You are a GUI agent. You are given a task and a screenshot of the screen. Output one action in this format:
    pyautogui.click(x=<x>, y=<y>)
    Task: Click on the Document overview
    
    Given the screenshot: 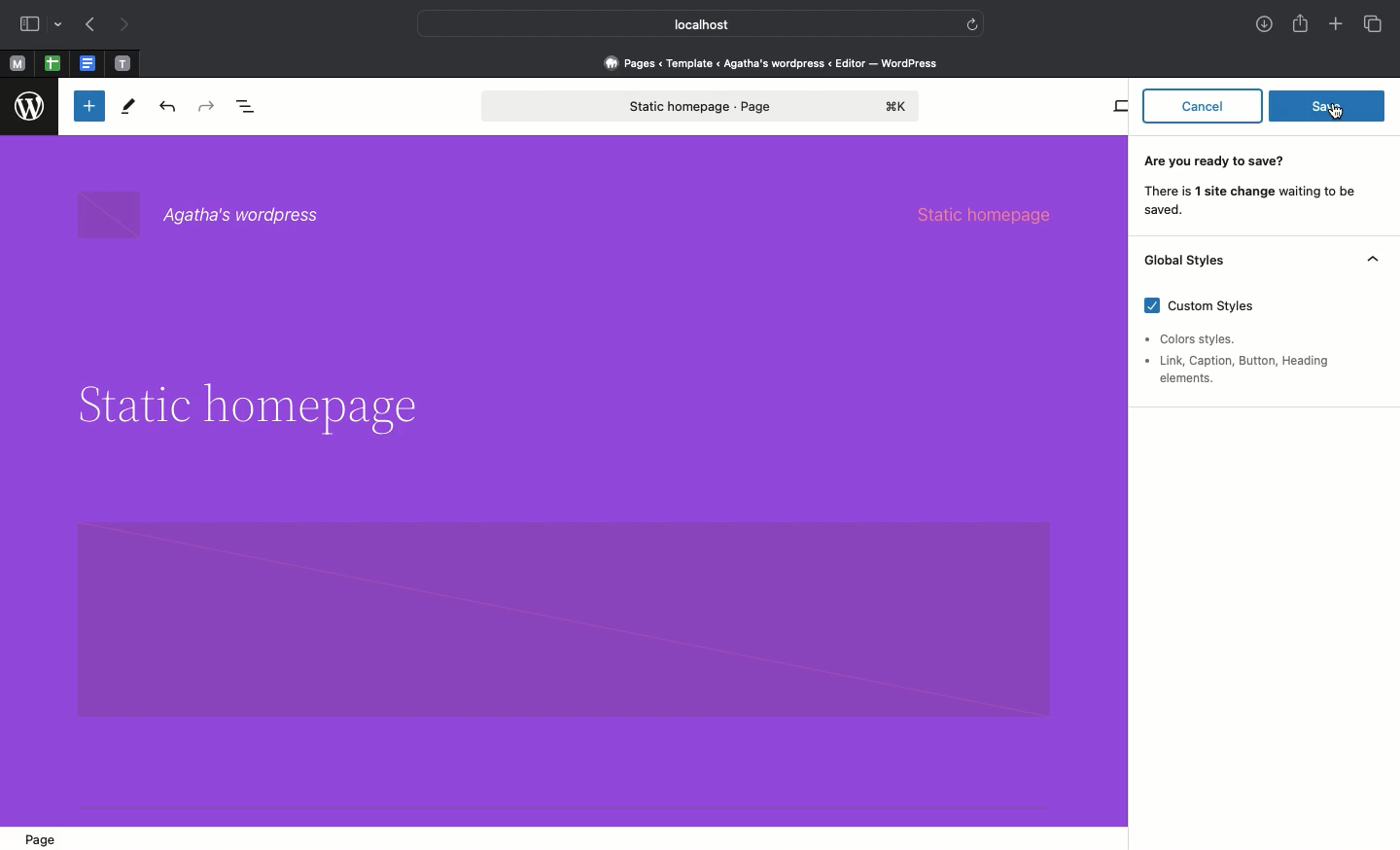 What is the action you would take?
    pyautogui.click(x=250, y=108)
    